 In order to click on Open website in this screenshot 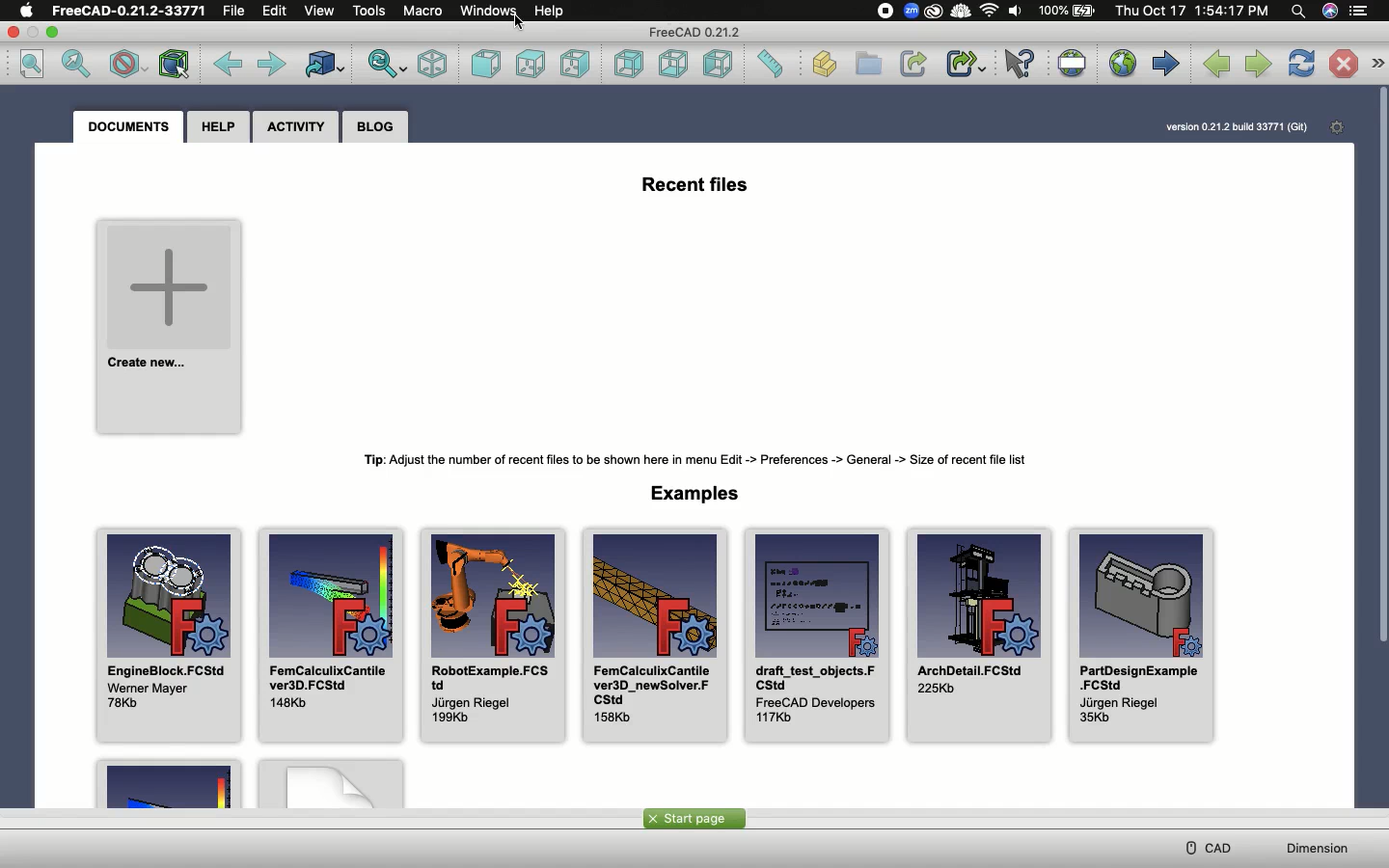, I will do `click(1122, 65)`.